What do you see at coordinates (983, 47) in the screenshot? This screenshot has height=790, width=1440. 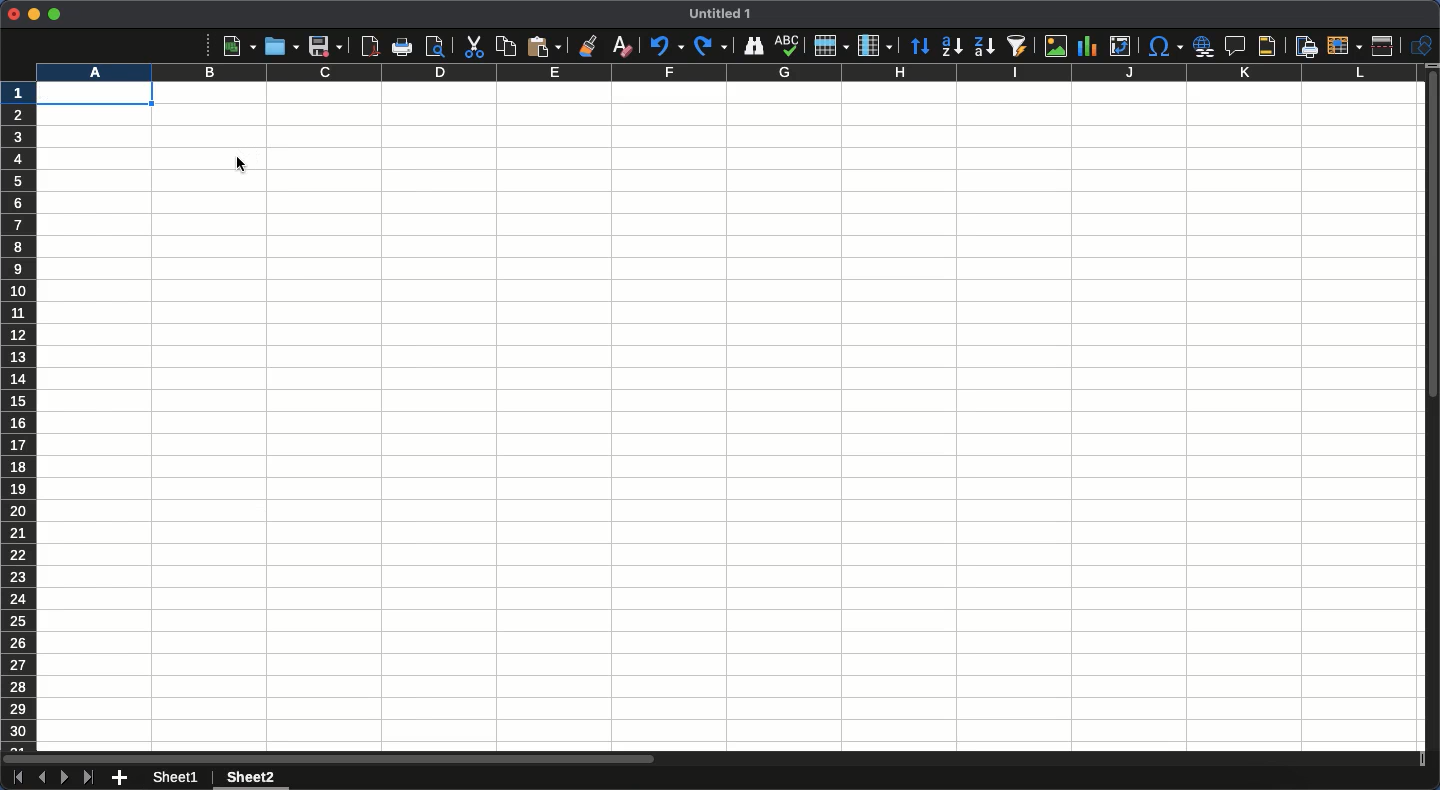 I see `Descending` at bounding box center [983, 47].